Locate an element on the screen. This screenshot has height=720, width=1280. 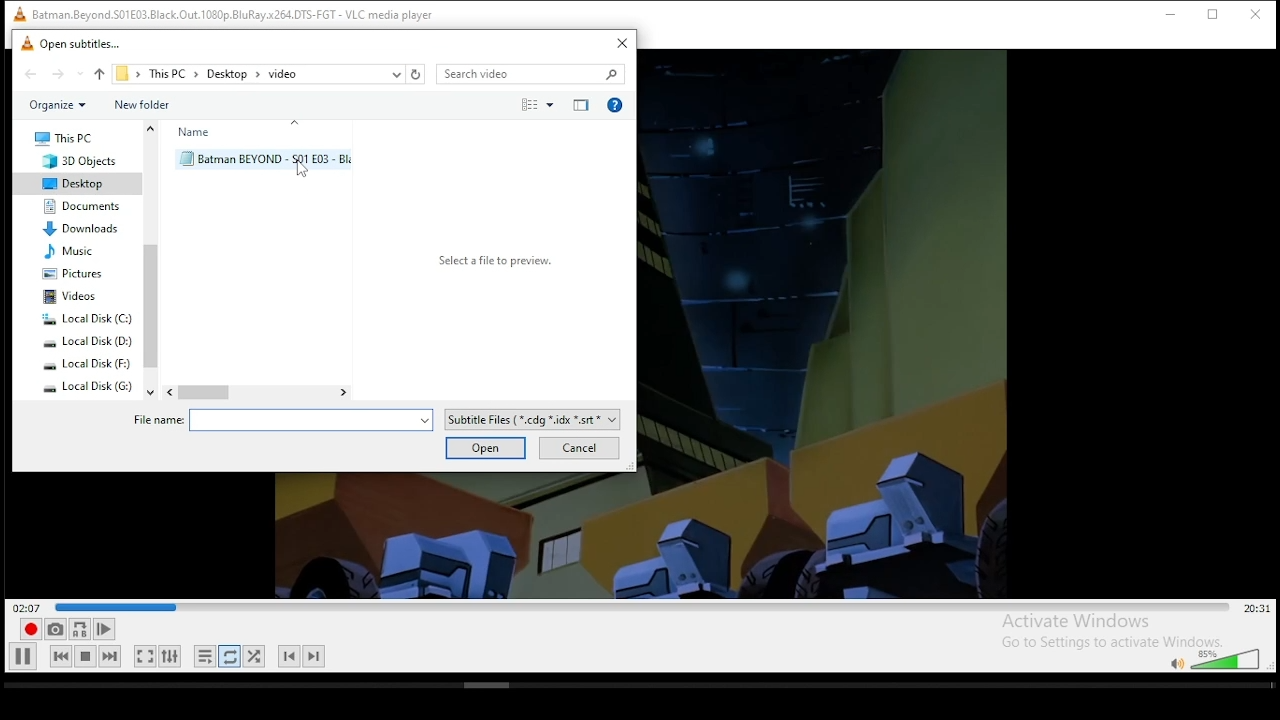
scroll bar is located at coordinates (256, 391).